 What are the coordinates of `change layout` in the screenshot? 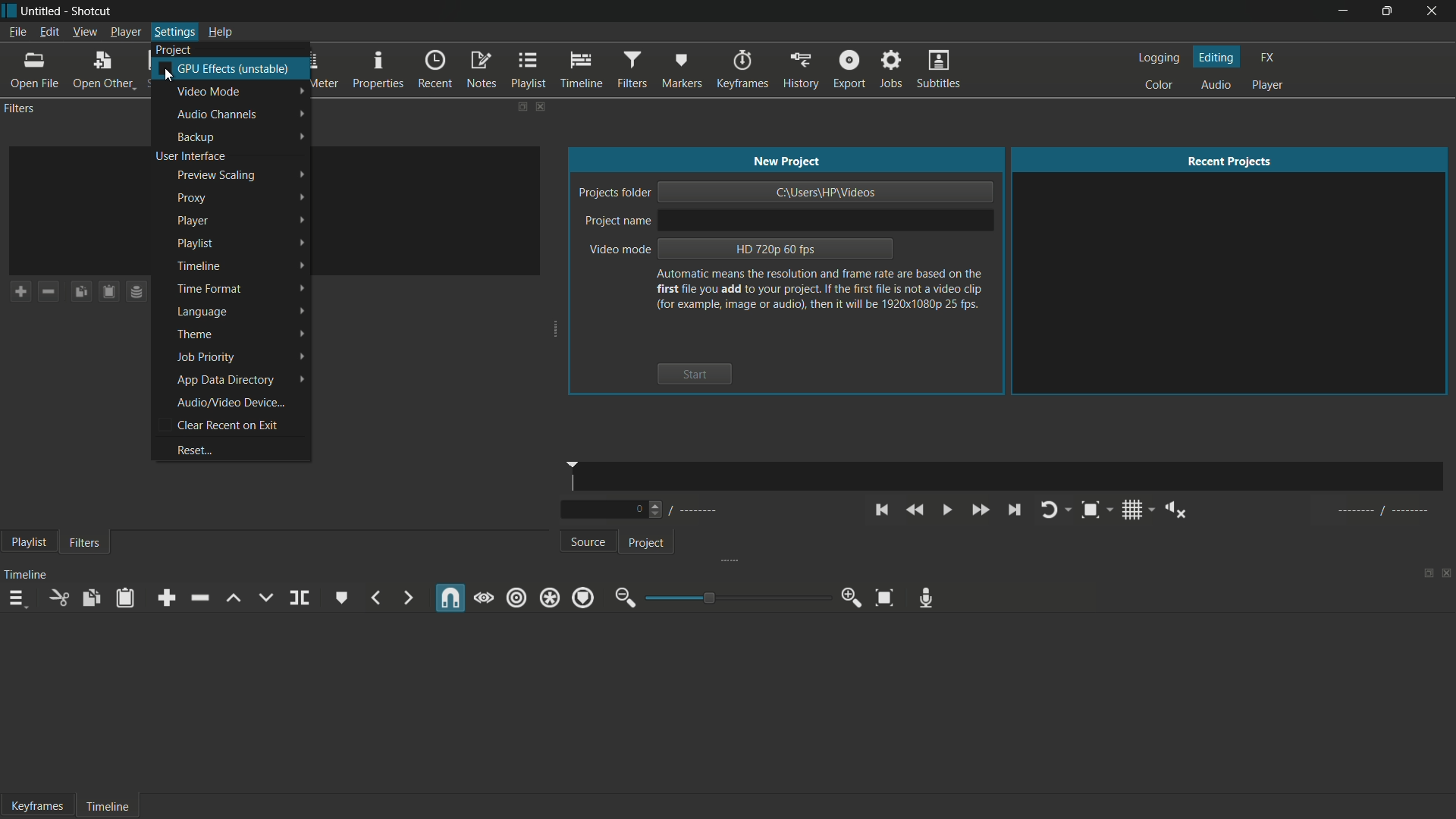 It's located at (1423, 572).